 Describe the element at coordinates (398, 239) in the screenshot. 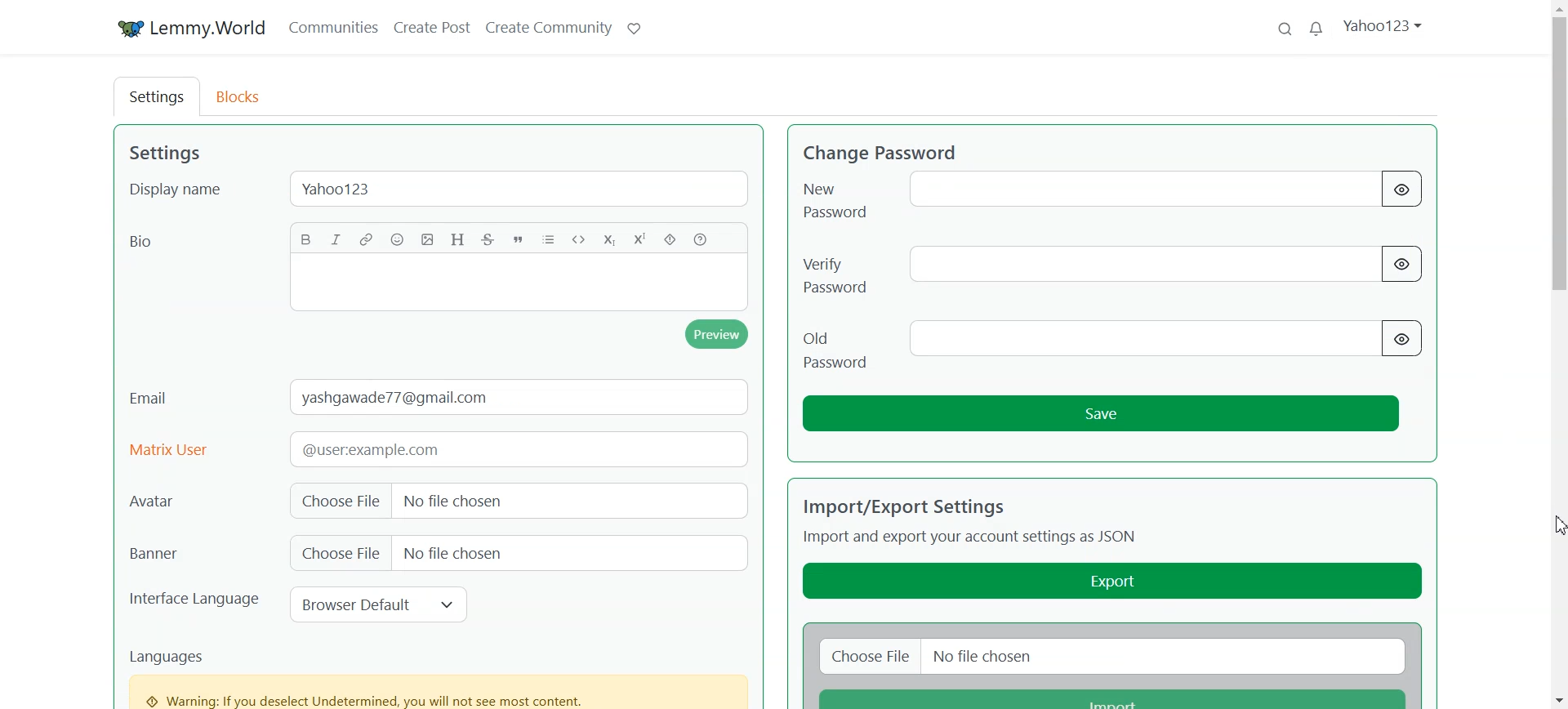

I see `Emojis` at that location.